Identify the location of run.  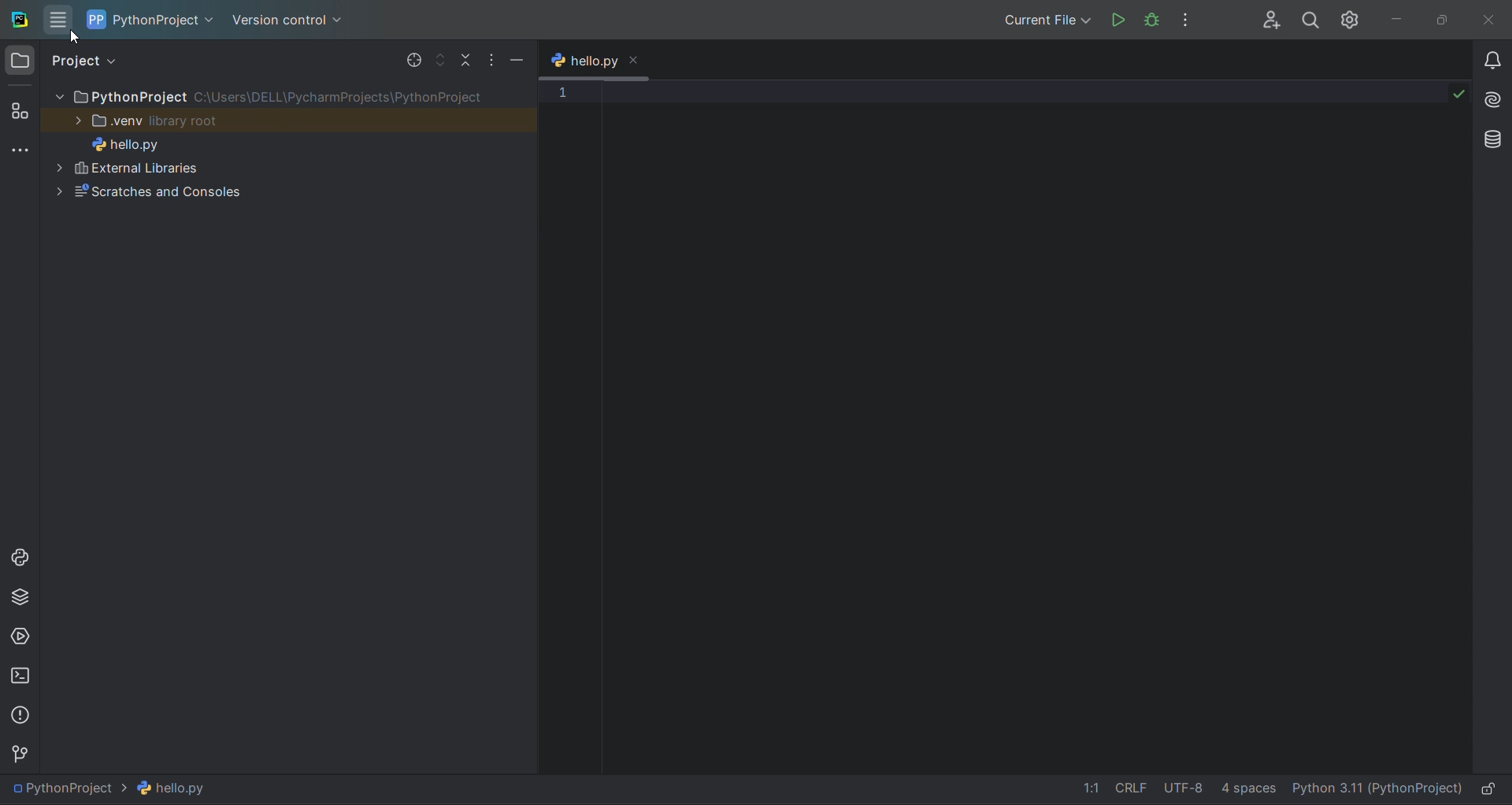
(1112, 21).